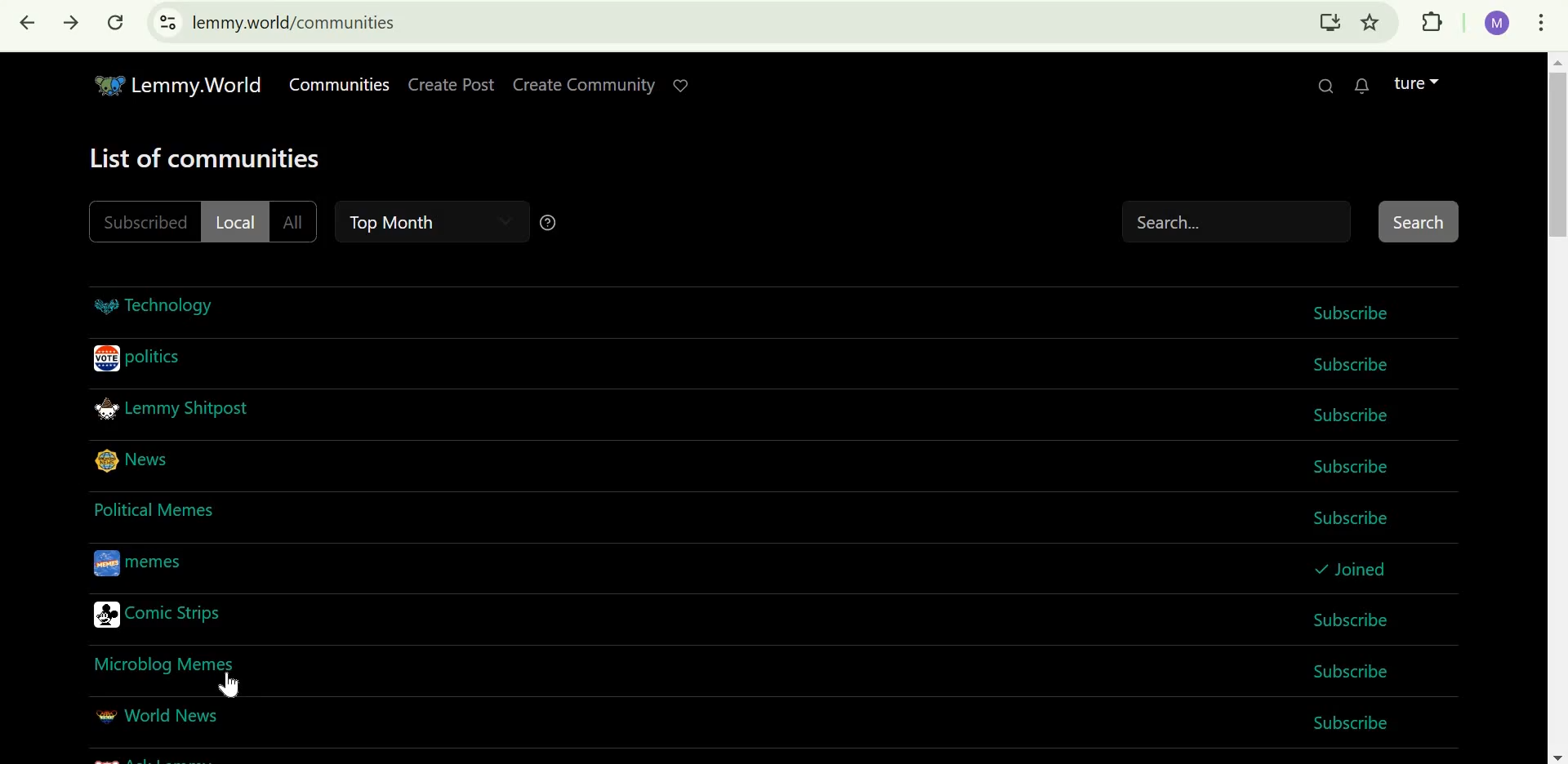 This screenshot has width=1568, height=764. I want to click on subscribe, so click(1357, 365).